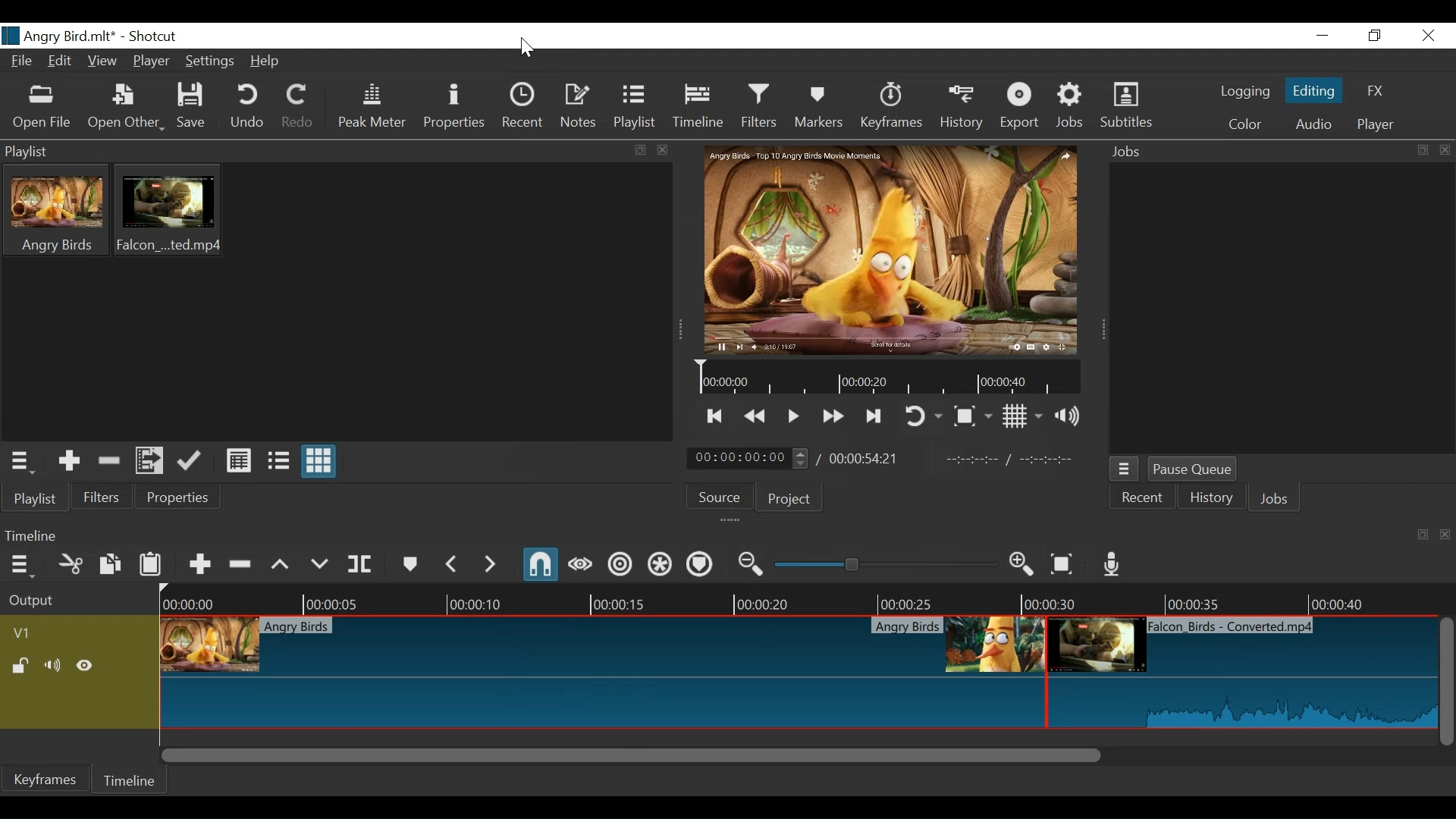 Image resolution: width=1456 pixels, height=819 pixels. Describe the element at coordinates (754, 416) in the screenshot. I see `Play quickly backwards` at that location.